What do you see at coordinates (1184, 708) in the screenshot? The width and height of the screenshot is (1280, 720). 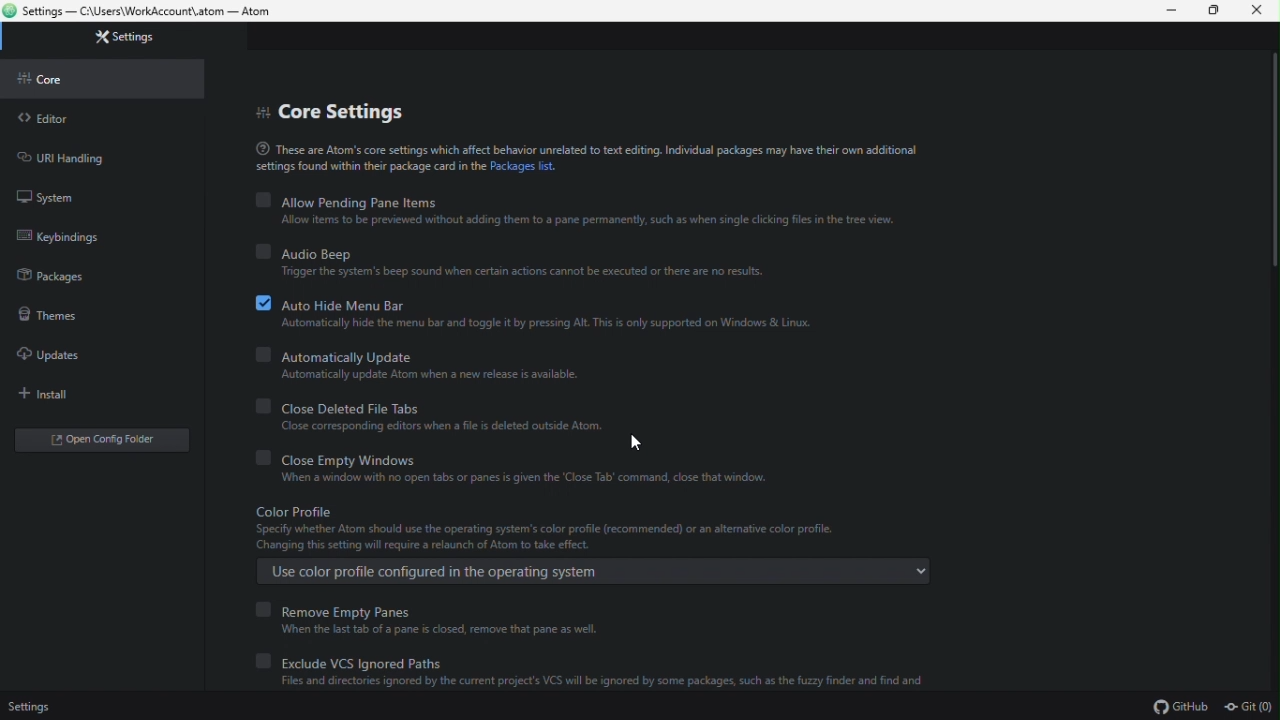 I see `github` at bounding box center [1184, 708].